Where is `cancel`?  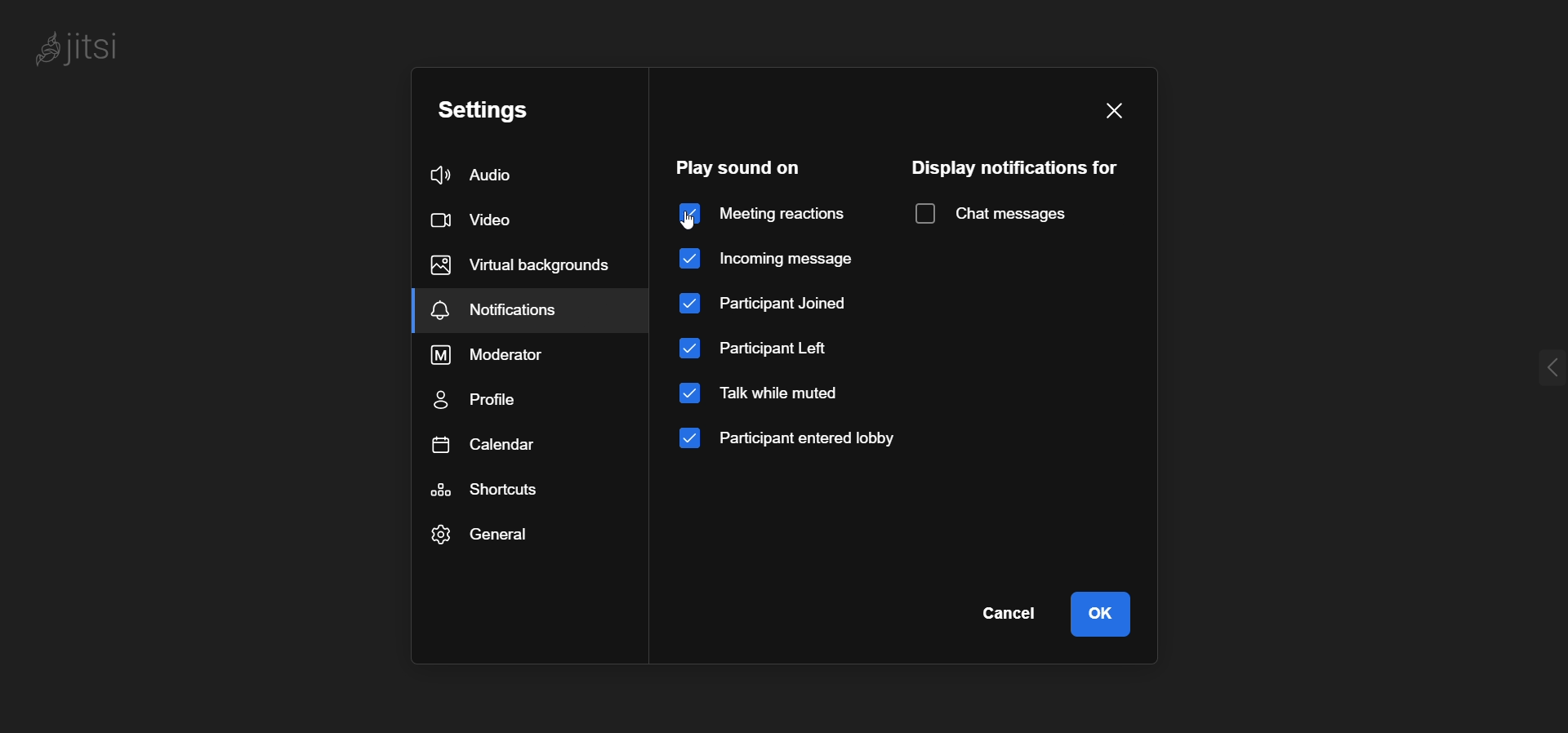 cancel is located at coordinates (1014, 609).